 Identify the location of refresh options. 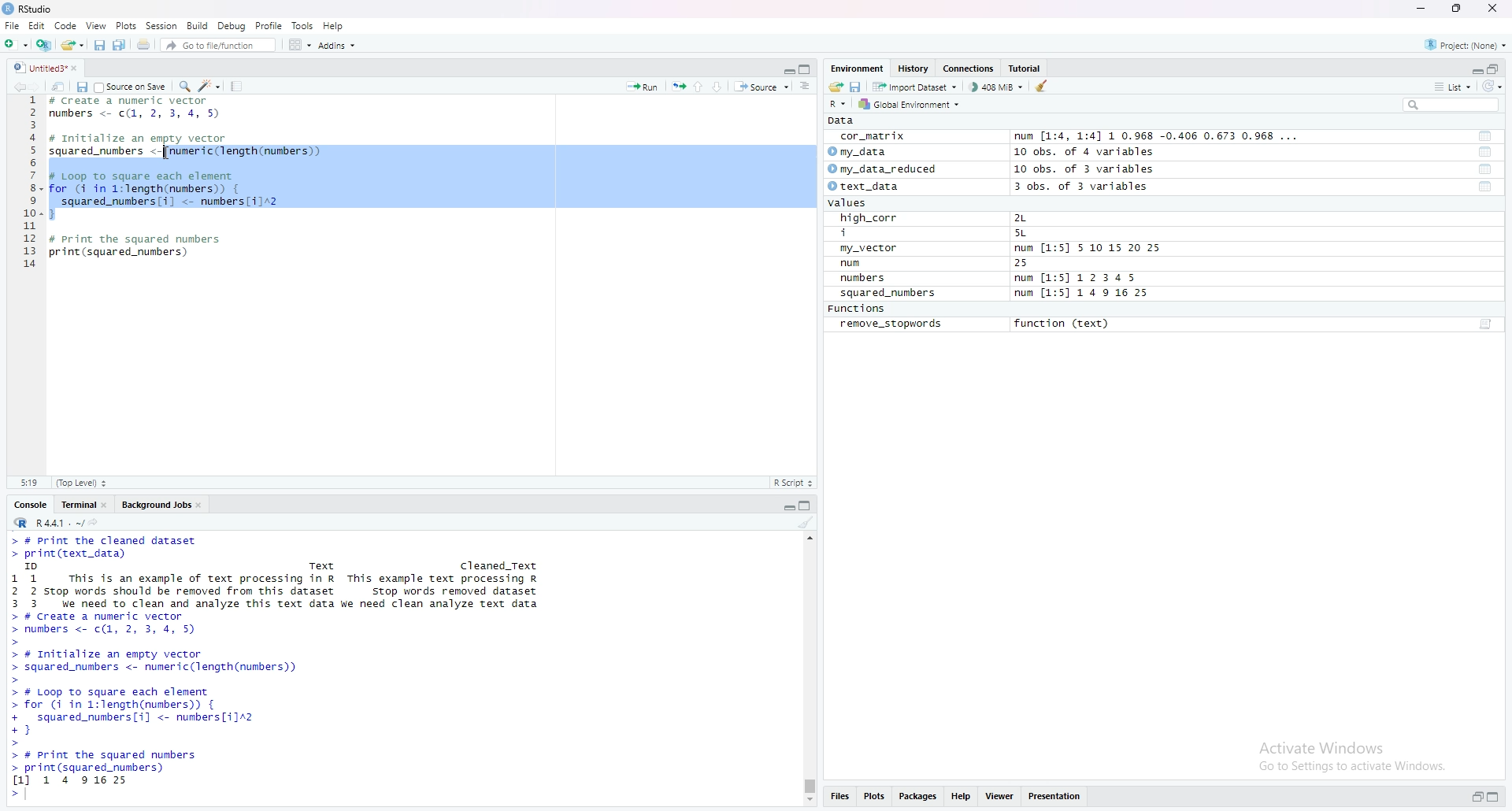
(1492, 87).